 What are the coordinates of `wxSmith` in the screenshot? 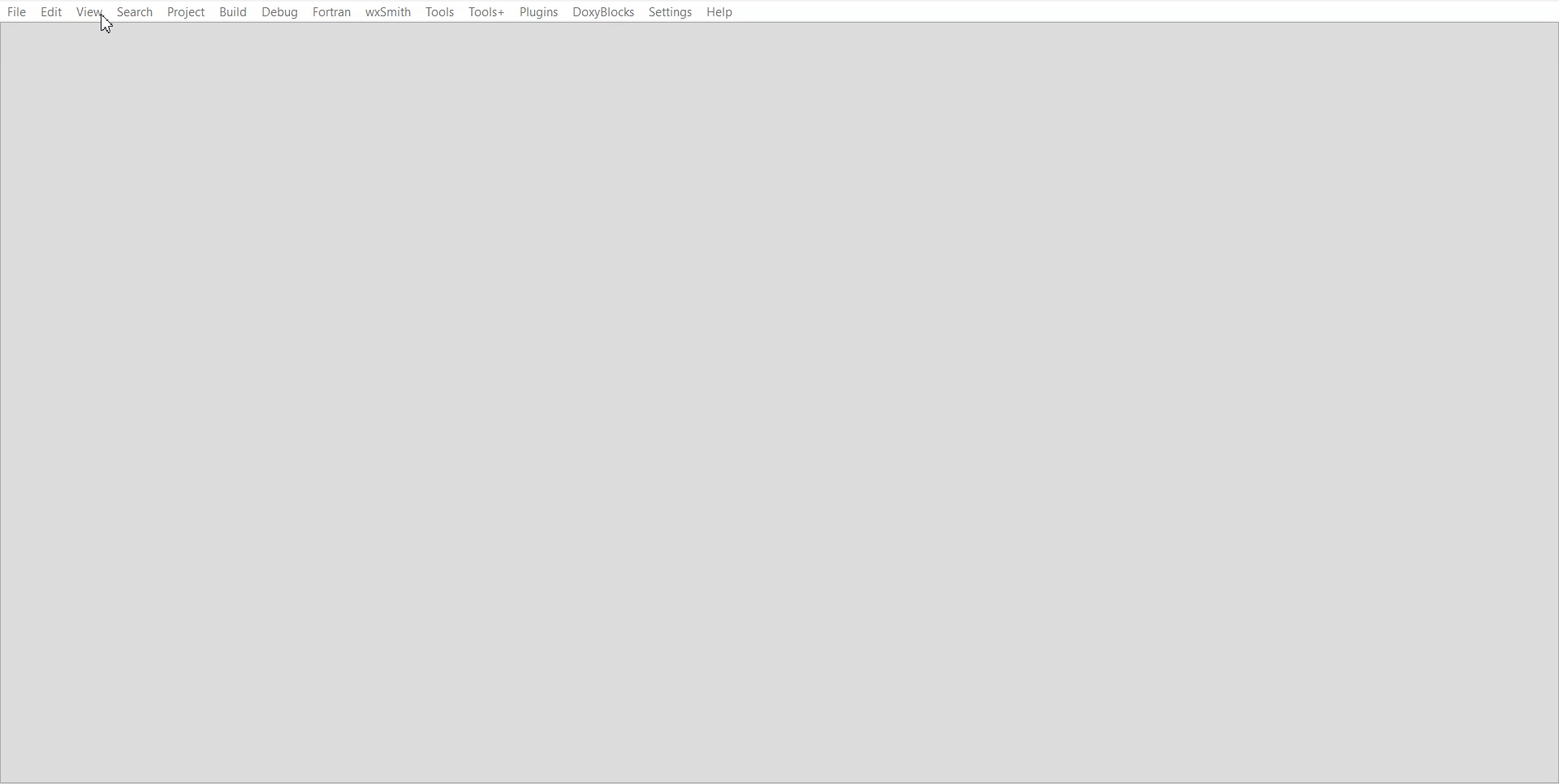 It's located at (388, 12).